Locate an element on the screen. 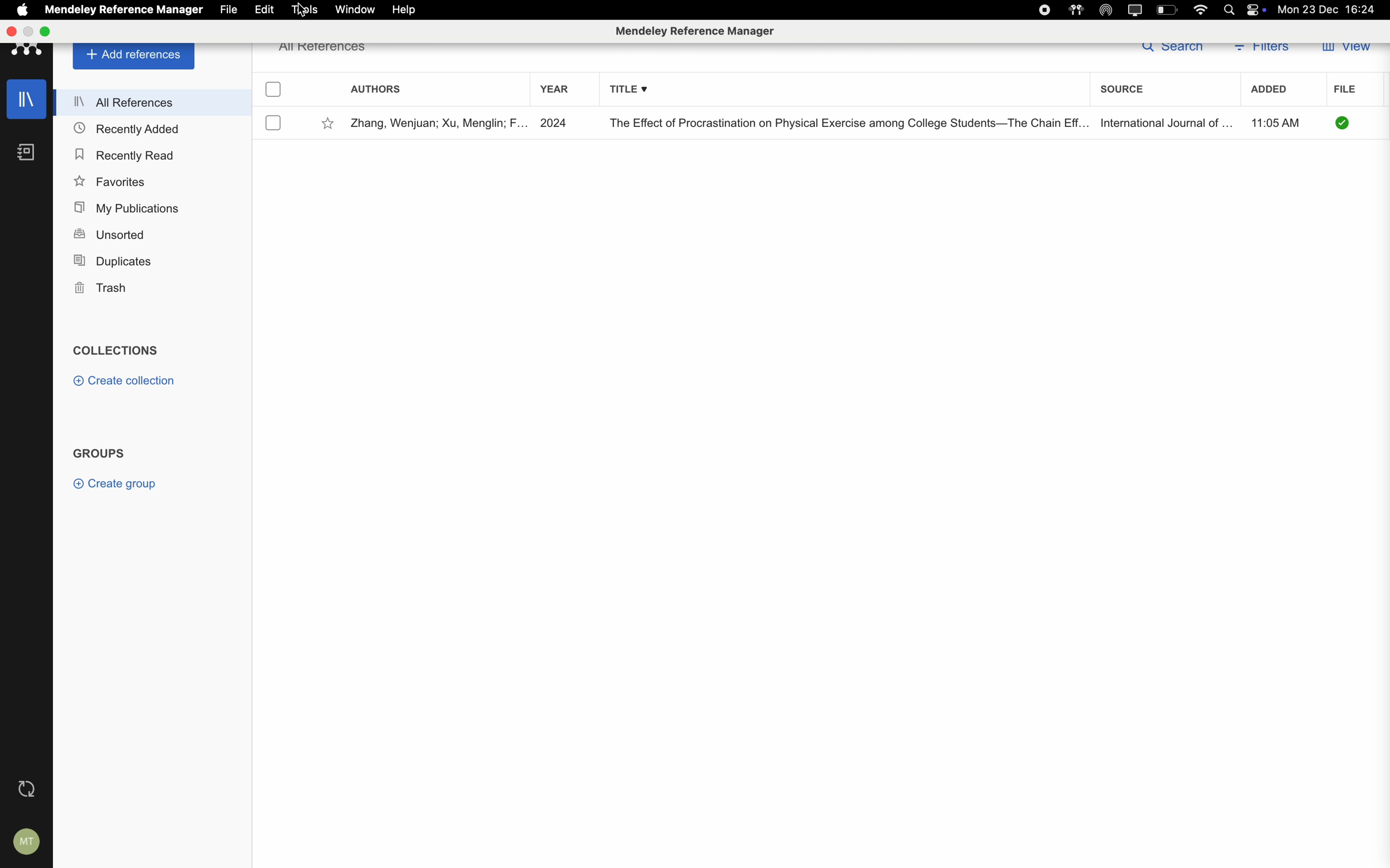 Image resolution: width=1390 pixels, height=868 pixels. trash is located at coordinates (103, 288).